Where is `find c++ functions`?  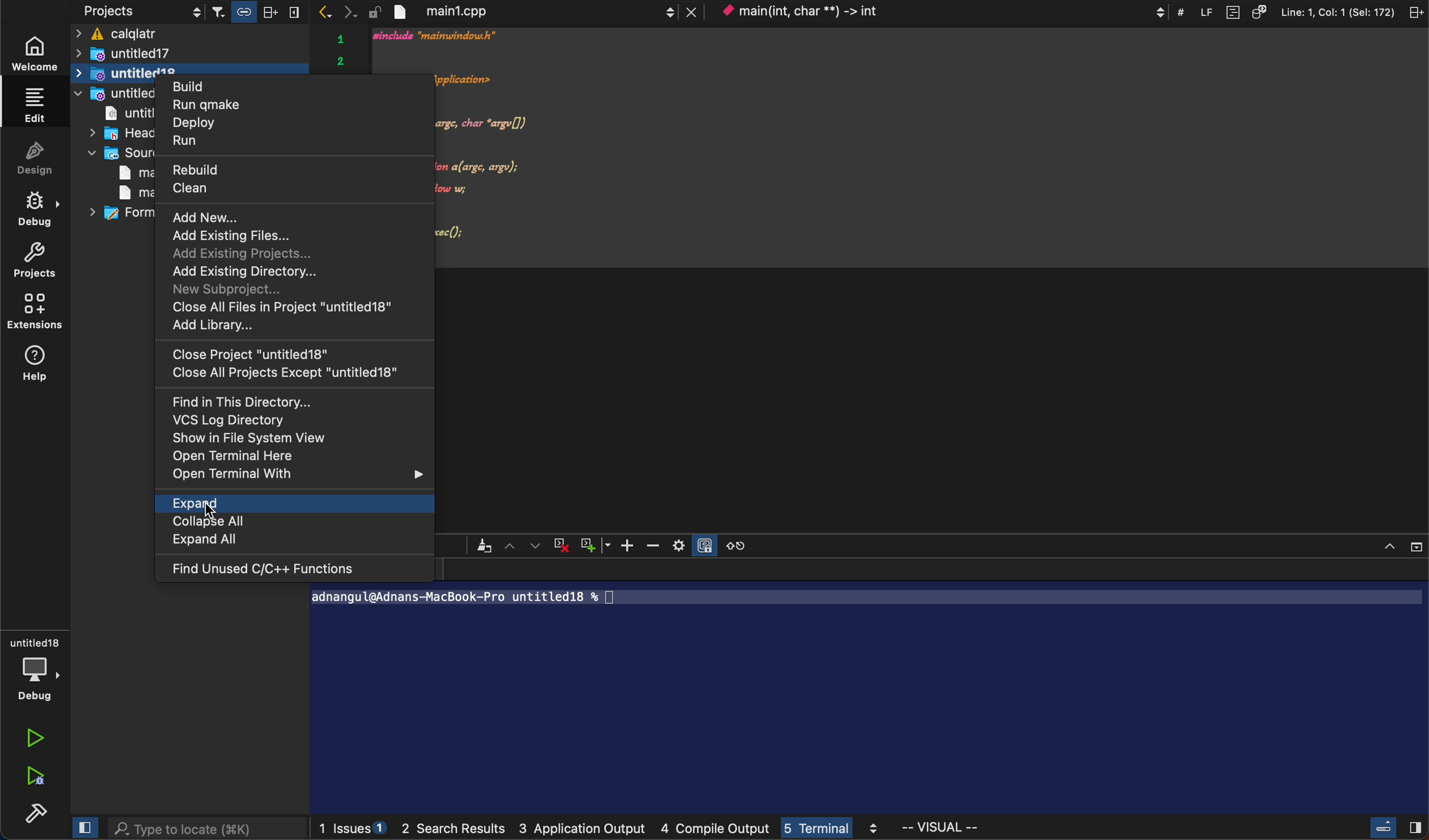 find c++ functions is located at coordinates (233, 567).